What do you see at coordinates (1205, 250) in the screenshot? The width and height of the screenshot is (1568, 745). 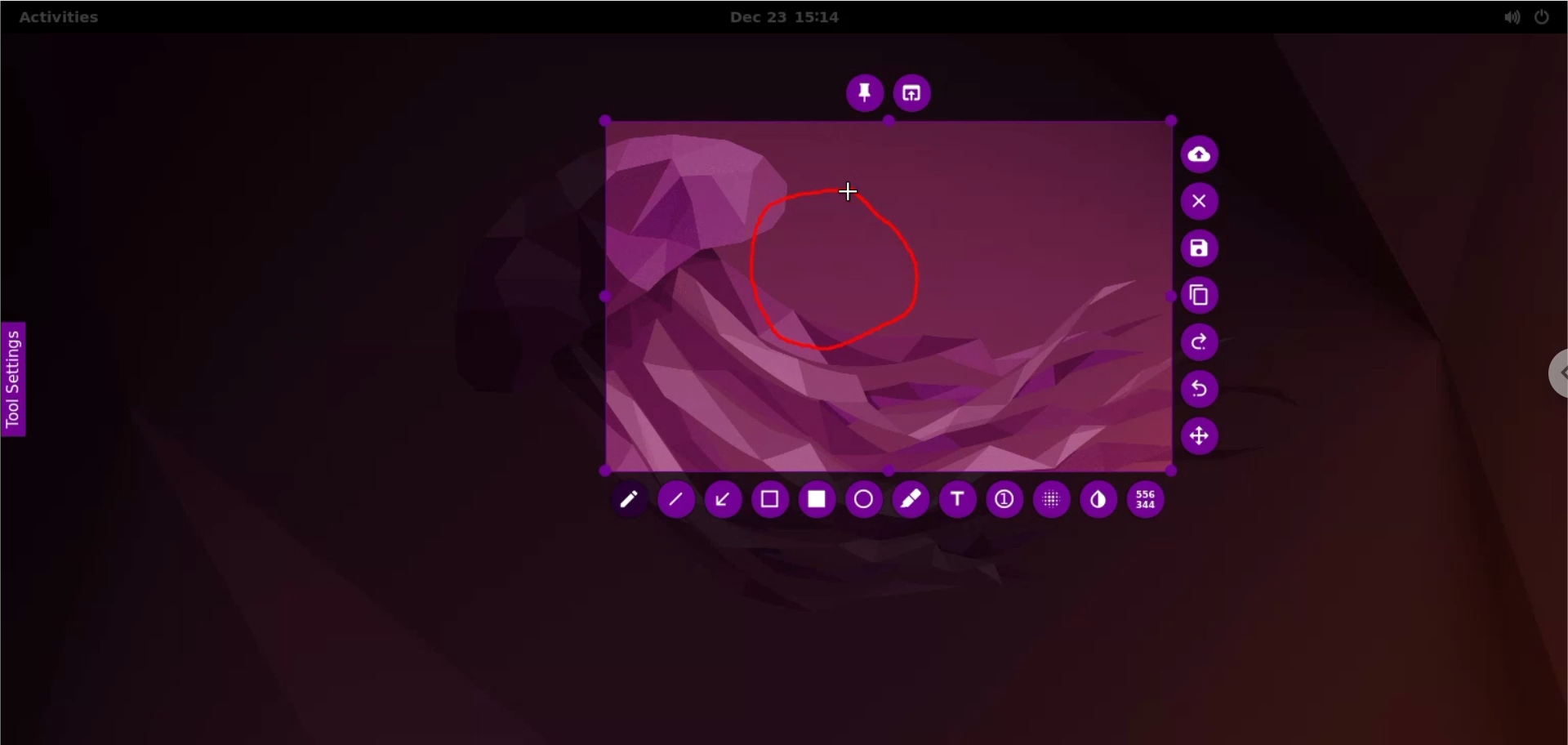 I see `save` at bounding box center [1205, 250].